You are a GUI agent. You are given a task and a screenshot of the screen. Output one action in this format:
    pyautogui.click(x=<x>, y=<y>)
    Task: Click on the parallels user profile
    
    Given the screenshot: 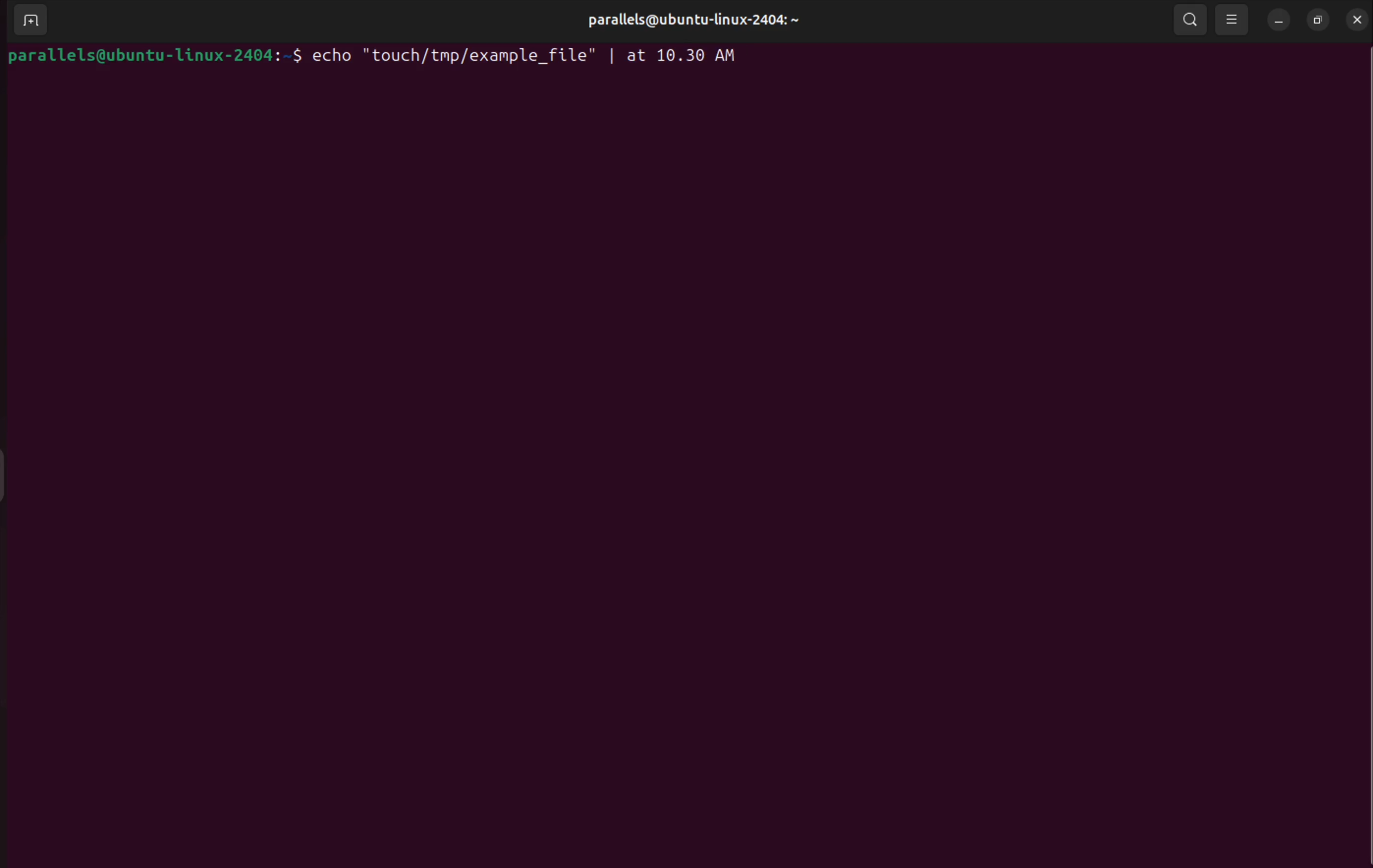 What is the action you would take?
    pyautogui.click(x=691, y=21)
    